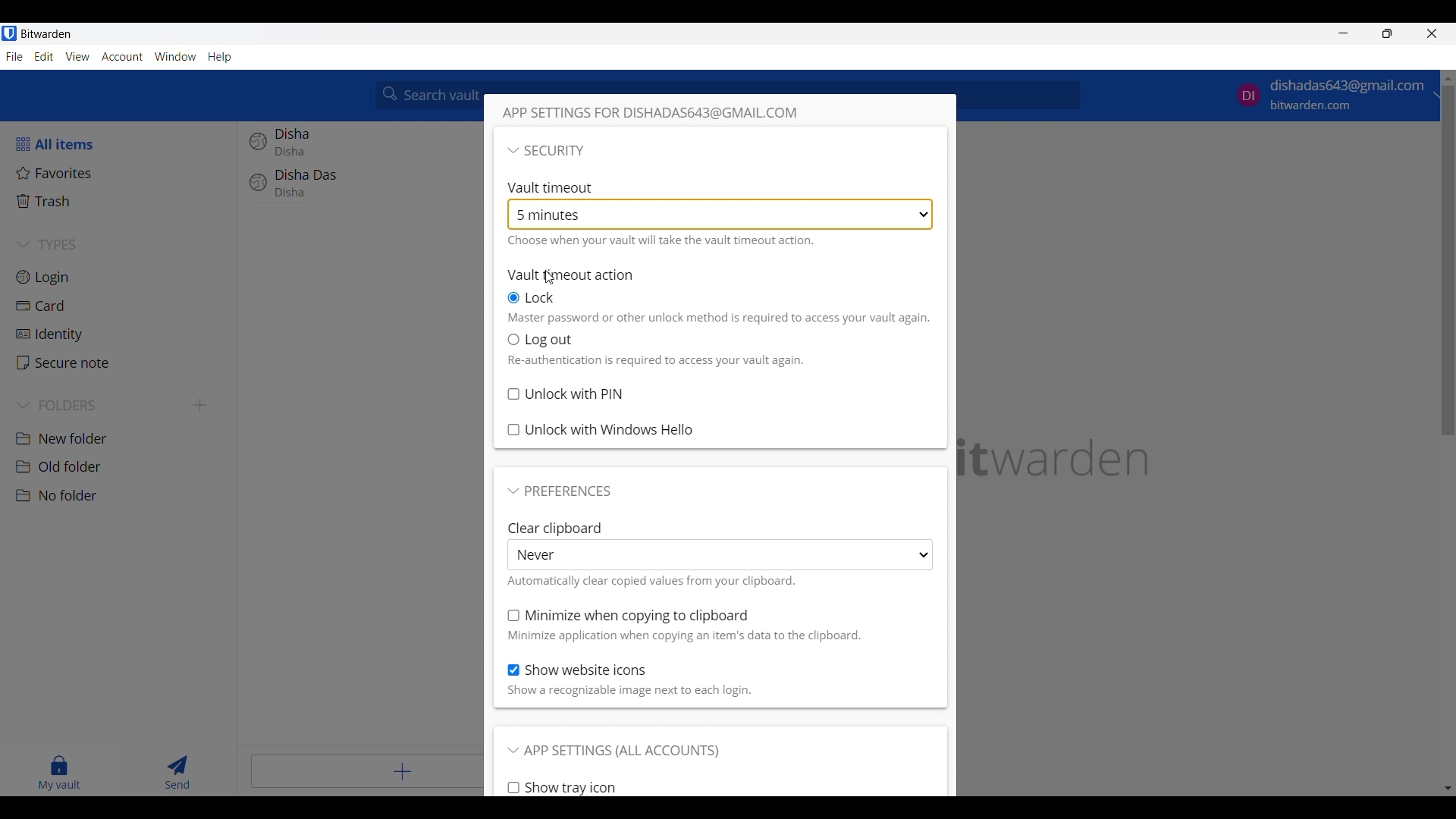 The height and width of the screenshot is (819, 1456). What do you see at coordinates (660, 361) in the screenshot?
I see `Description of Log out action` at bounding box center [660, 361].